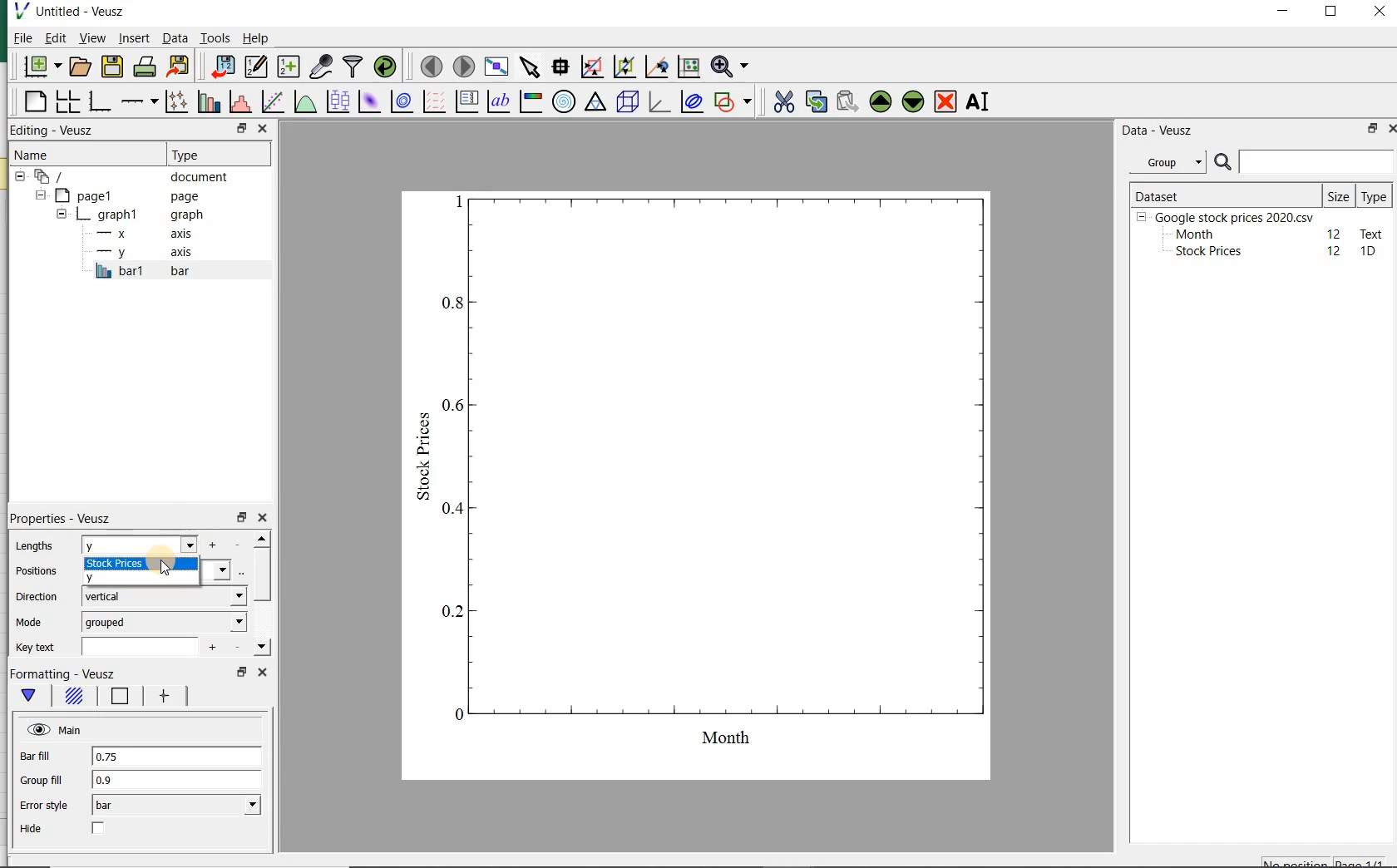 This screenshot has height=868, width=1397. What do you see at coordinates (692, 102) in the screenshot?
I see `plot covariance ellipses` at bounding box center [692, 102].